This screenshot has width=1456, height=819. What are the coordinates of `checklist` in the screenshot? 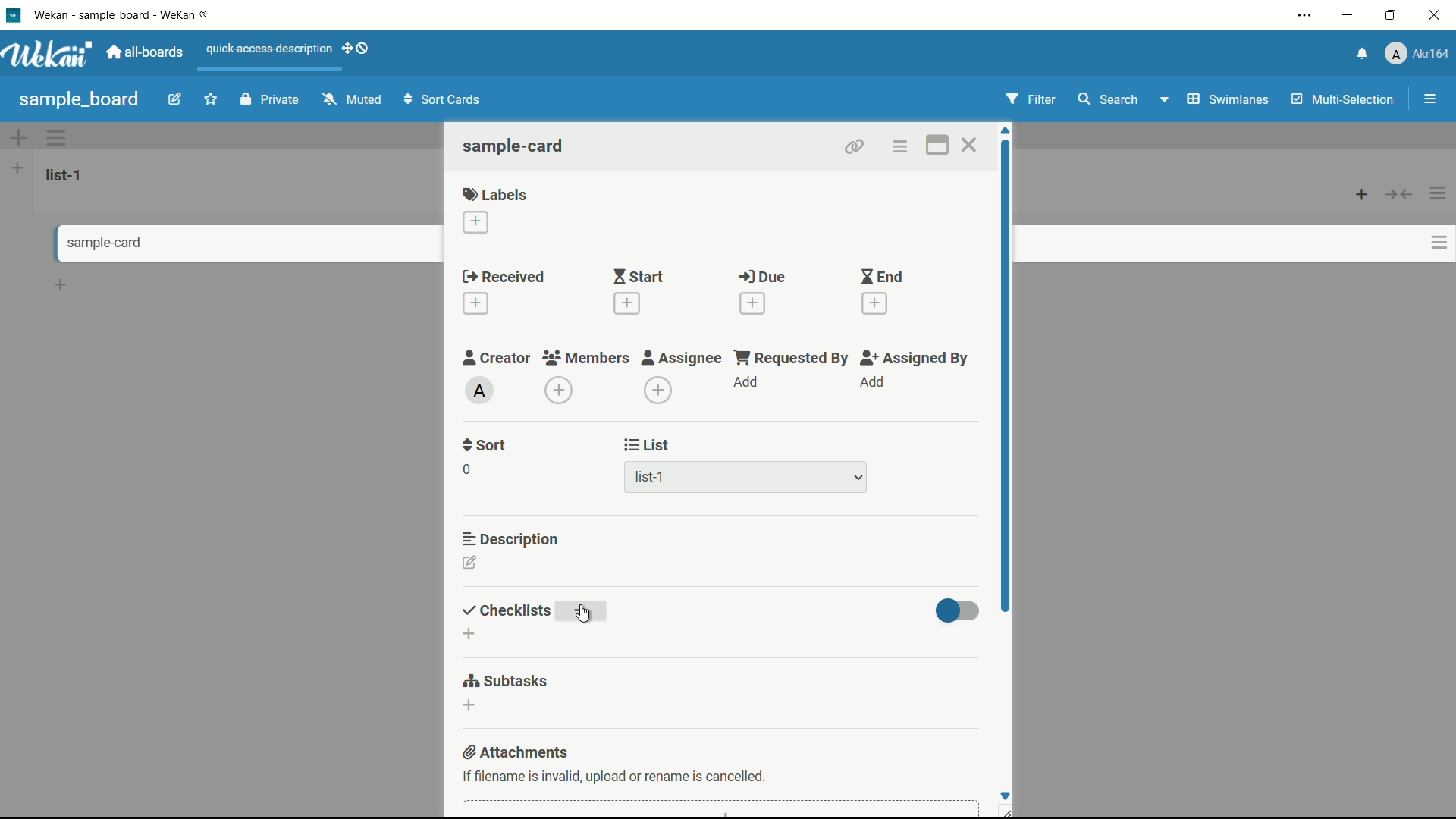 It's located at (504, 611).